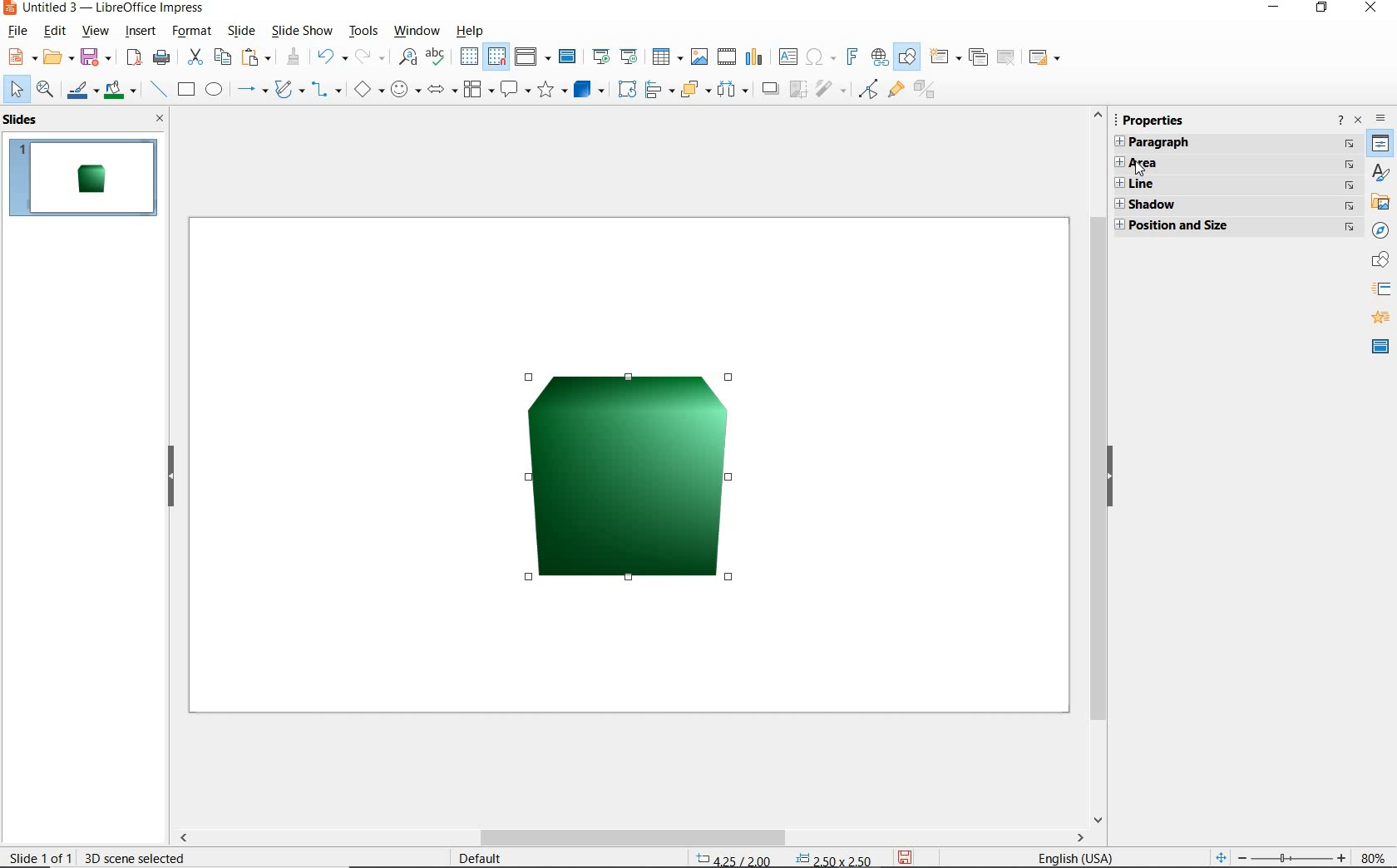 Image resolution: width=1397 pixels, height=868 pixels. I want to click on SCROLLBAR, so click(753, 839).